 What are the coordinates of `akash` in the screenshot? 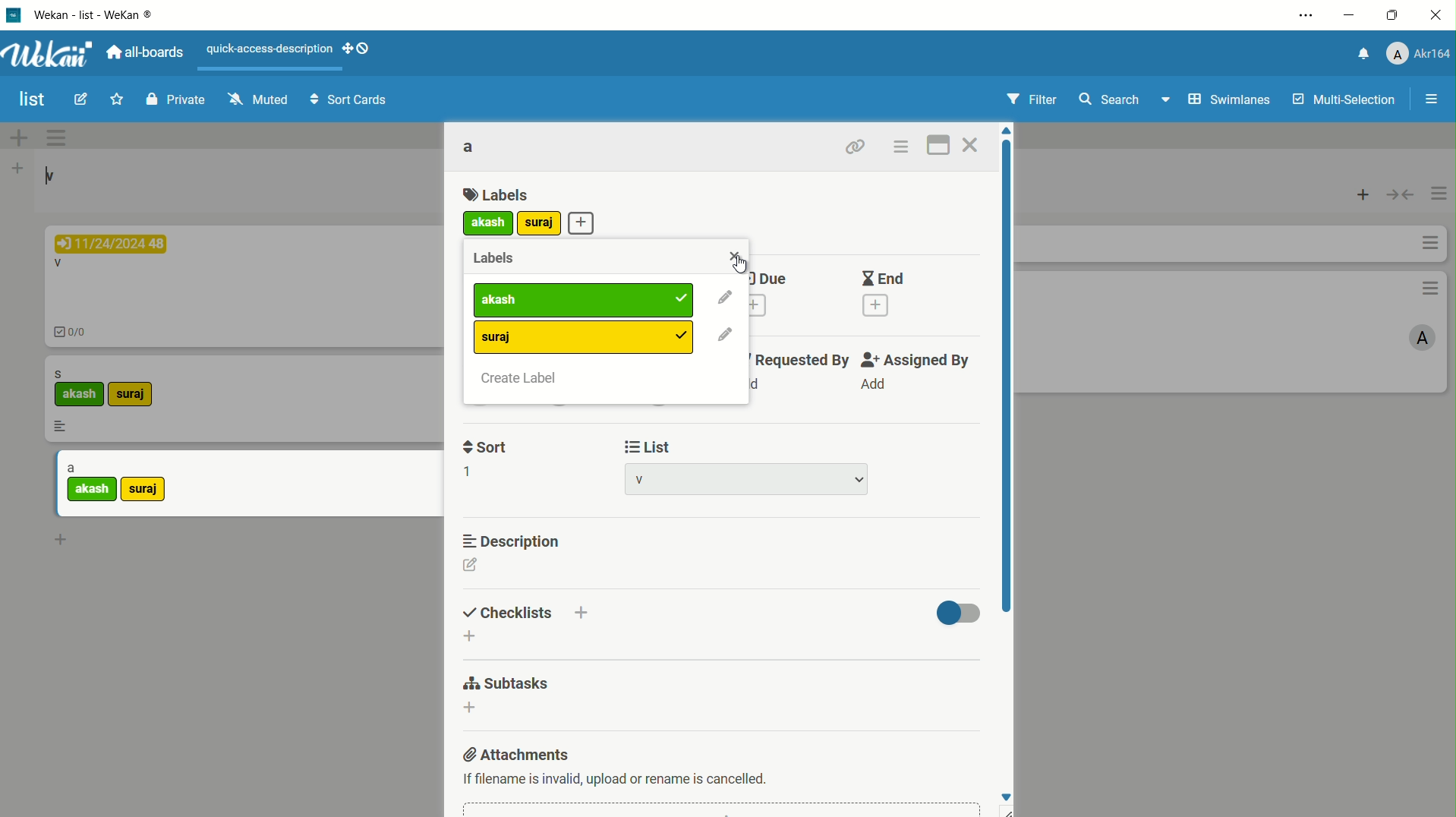 It's located at (90, 486).